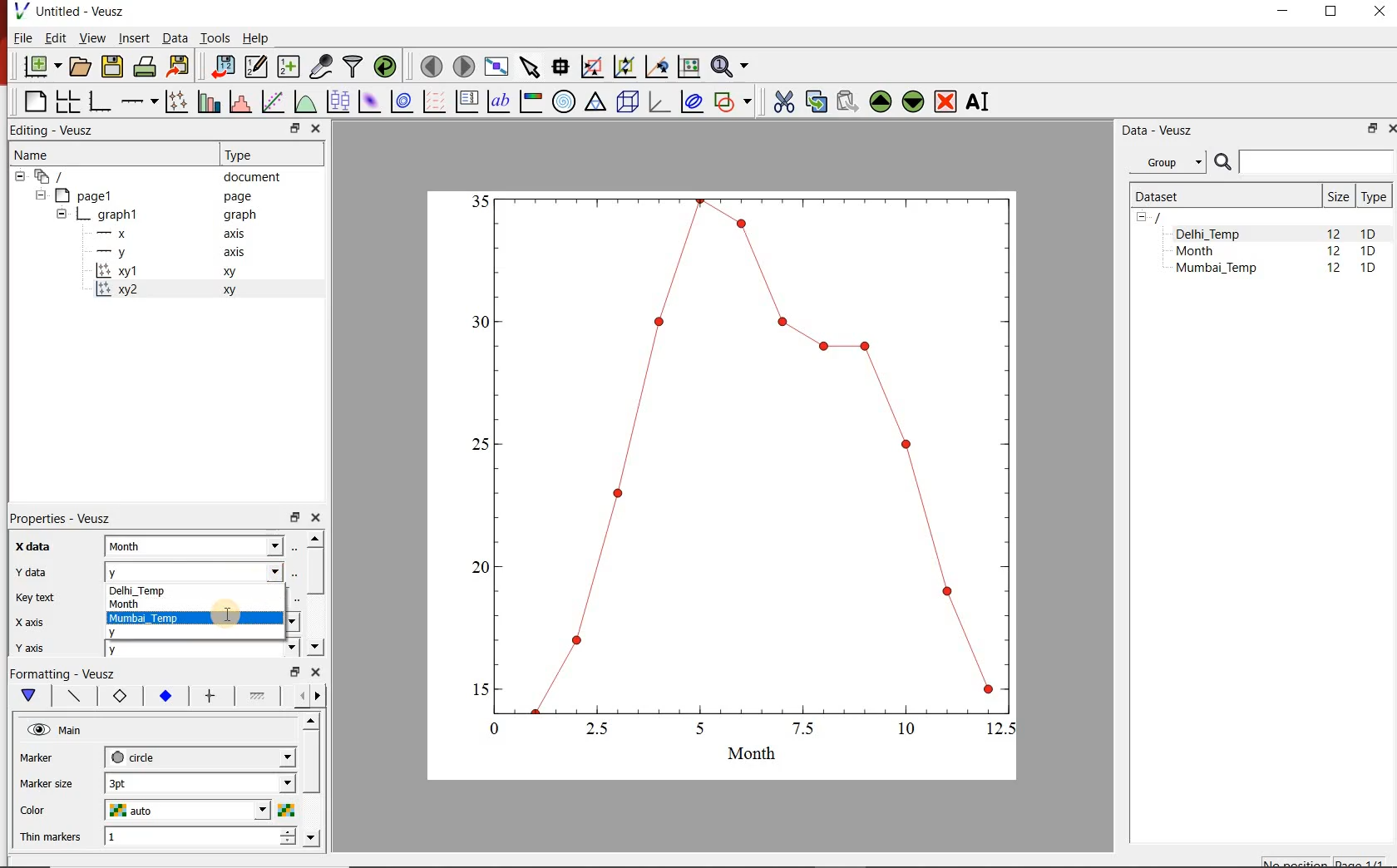 Image resolution: width=1397 pixels, height=868 pixels. I want to click on Add an axis to the plot, so click(137, 101).